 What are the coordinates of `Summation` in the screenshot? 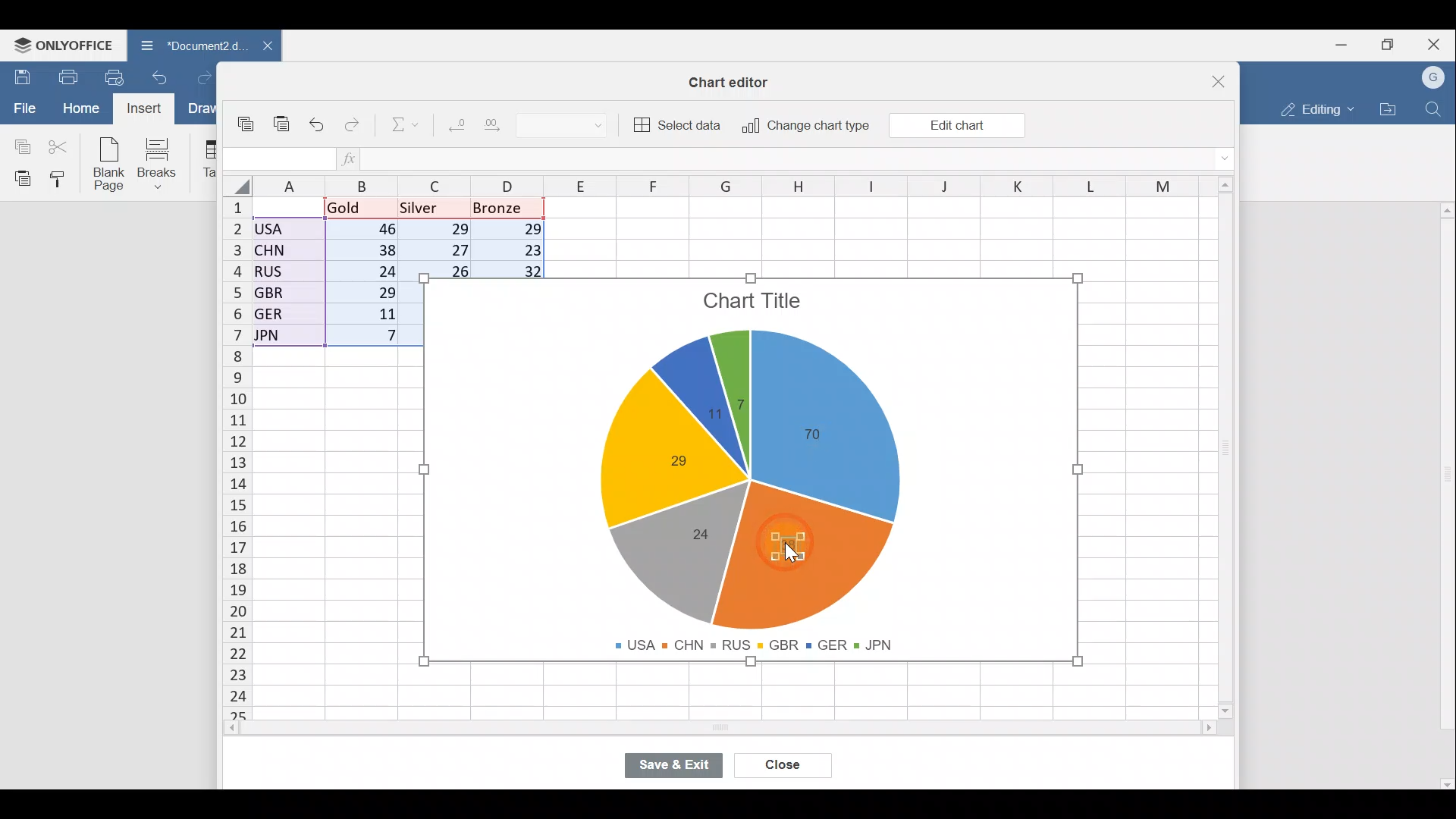 It's located at (406, 122).